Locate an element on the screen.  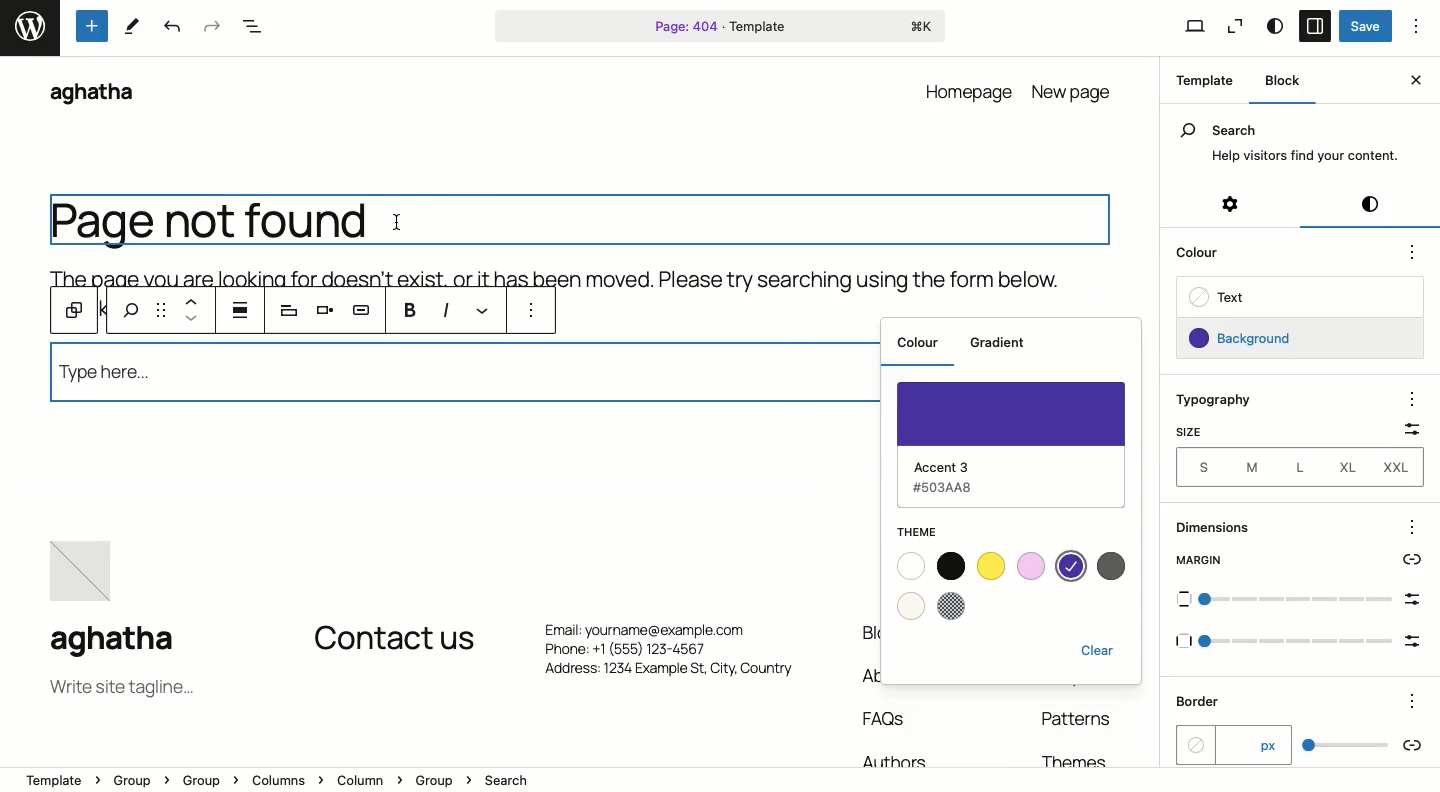
Scale is located at coordinates (1303, 602).